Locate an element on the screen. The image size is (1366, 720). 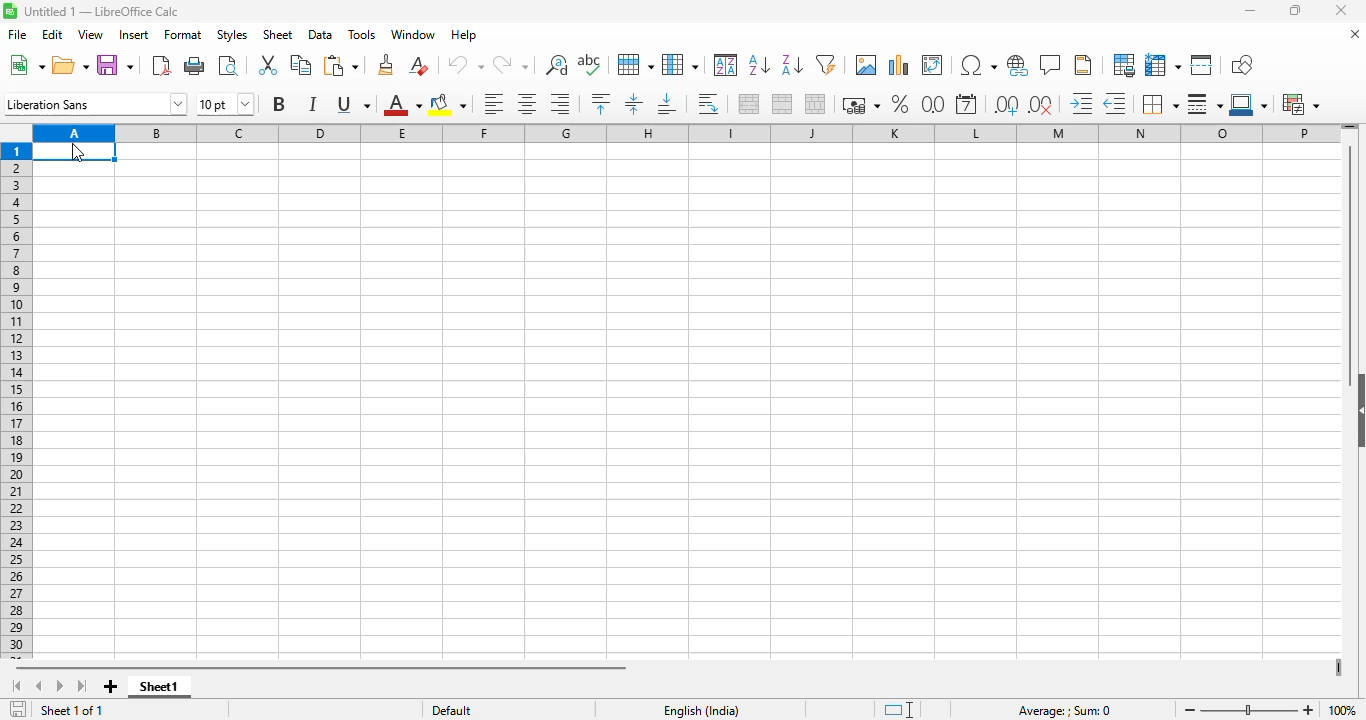
bold is located at coordinates (278, 103).